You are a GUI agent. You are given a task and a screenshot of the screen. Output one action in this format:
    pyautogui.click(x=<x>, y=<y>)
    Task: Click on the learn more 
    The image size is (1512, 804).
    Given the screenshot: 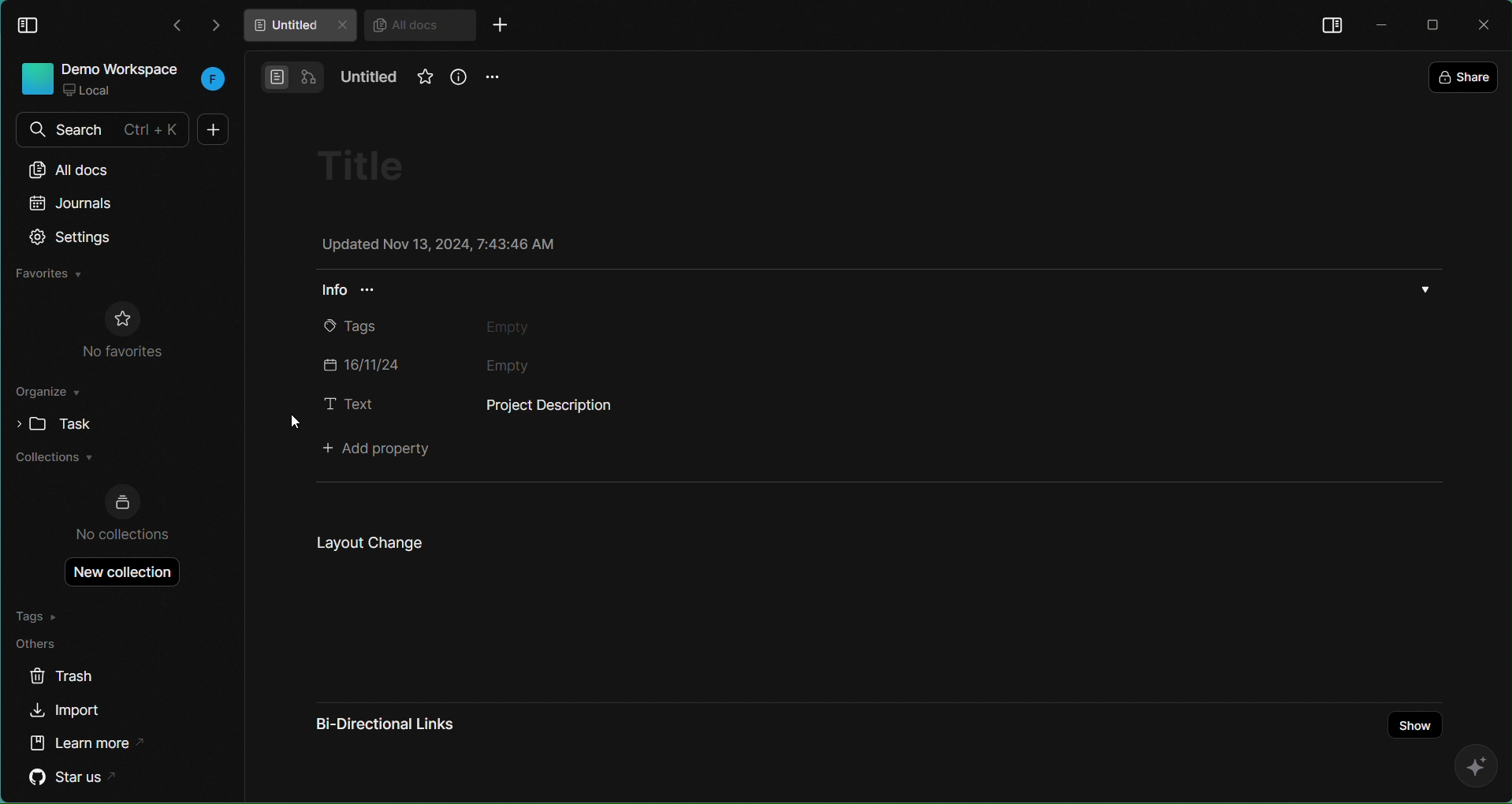 What is the action you would take?
    pyautogui.click(x=89, y=741)
    